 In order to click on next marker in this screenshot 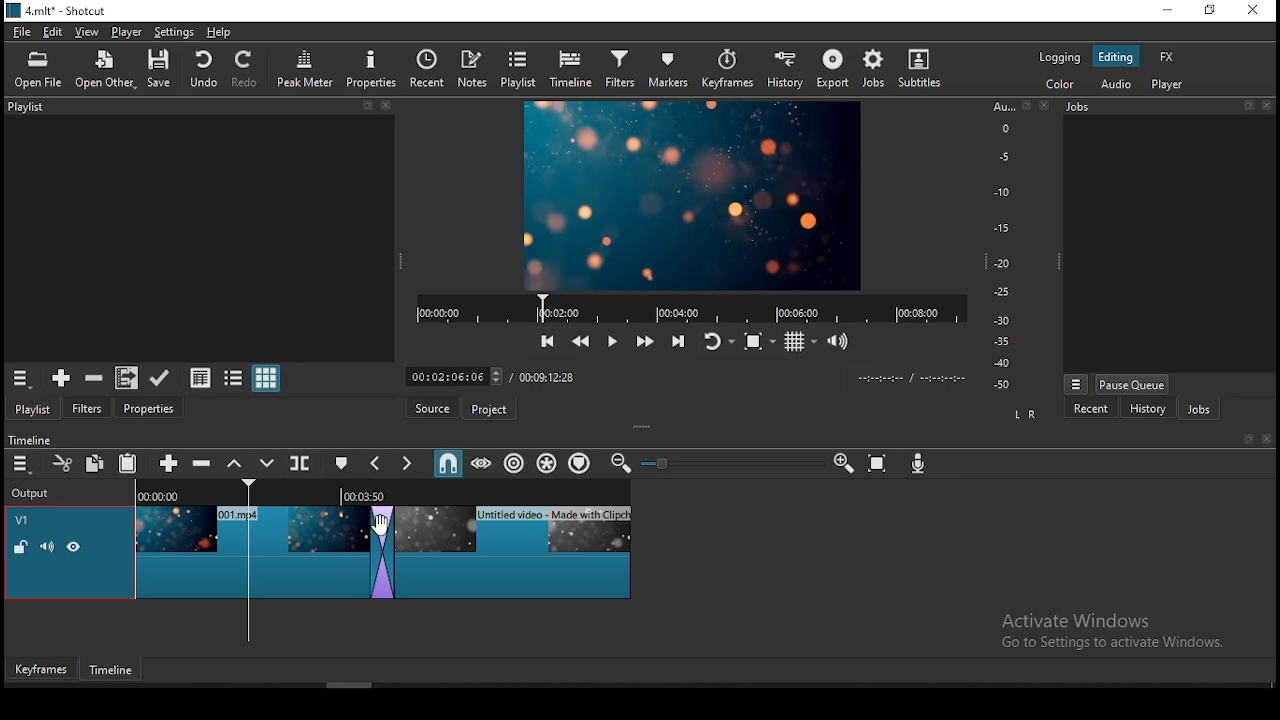, I will do `click(409, 464)`.